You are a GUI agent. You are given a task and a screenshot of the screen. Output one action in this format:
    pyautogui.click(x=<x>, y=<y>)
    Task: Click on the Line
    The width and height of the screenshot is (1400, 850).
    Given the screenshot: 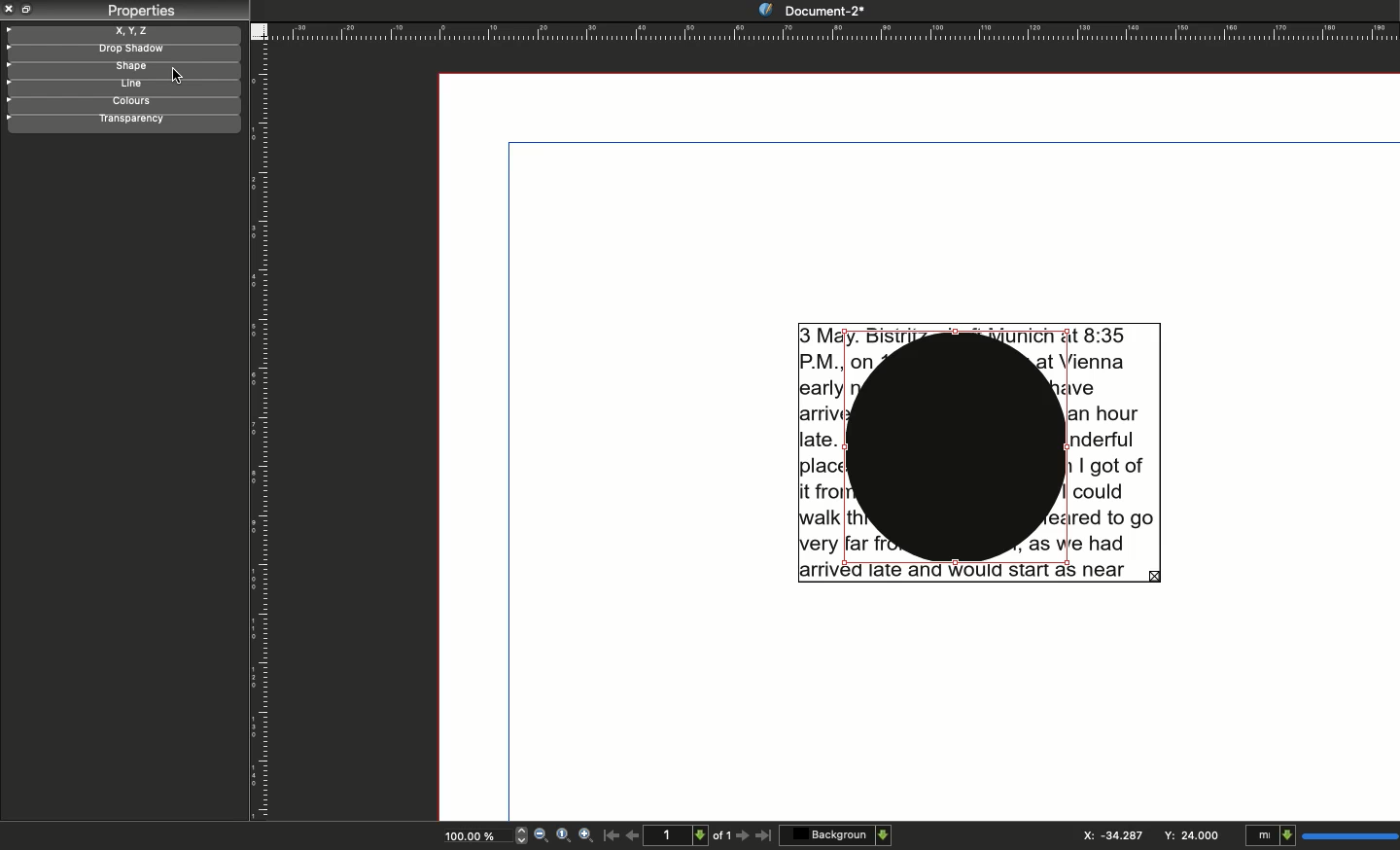 What is the action you would take?
    pyautogui.click(x=131, y=84)
    